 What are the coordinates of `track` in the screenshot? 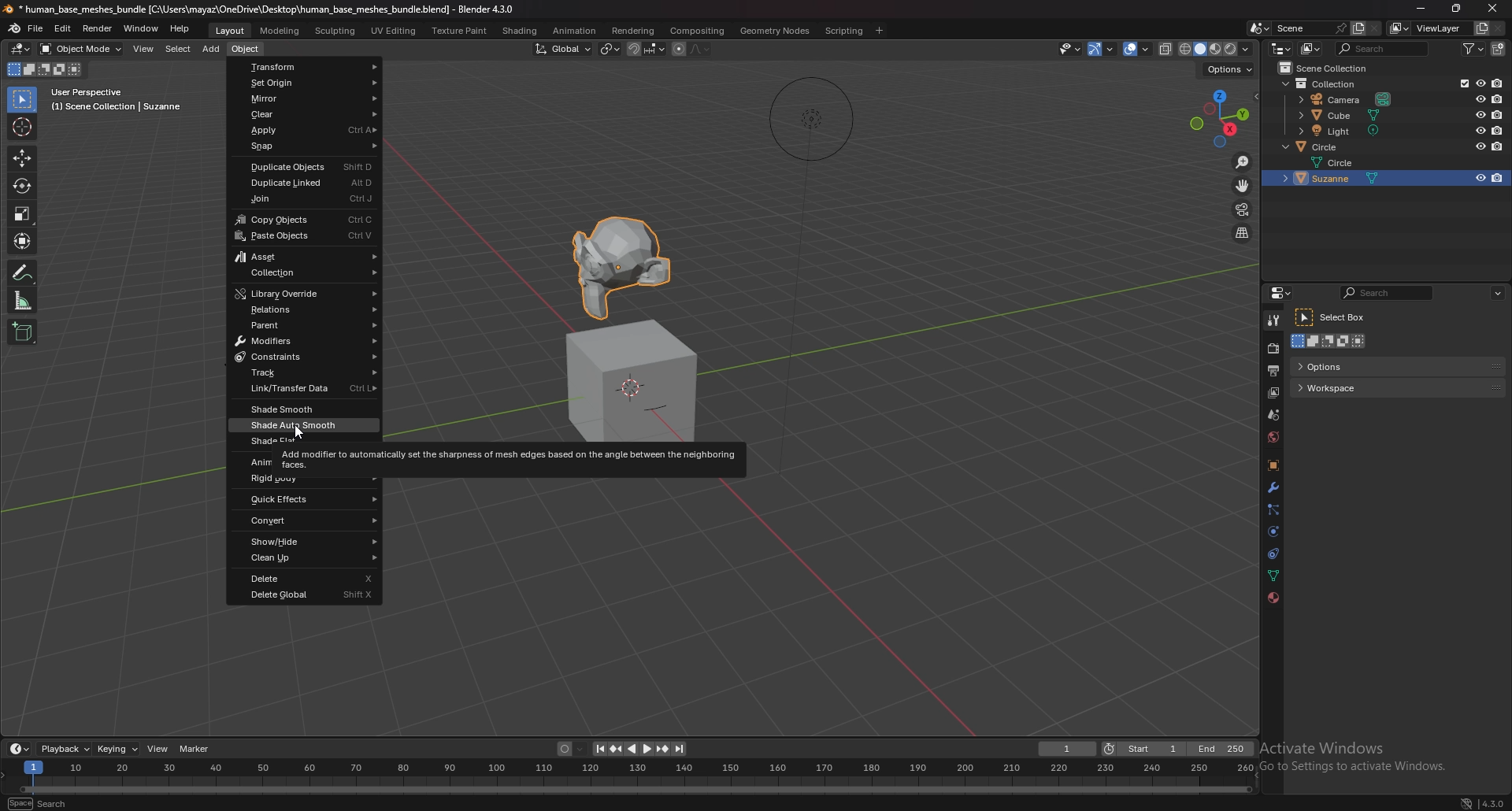 It's located at (304, 373).